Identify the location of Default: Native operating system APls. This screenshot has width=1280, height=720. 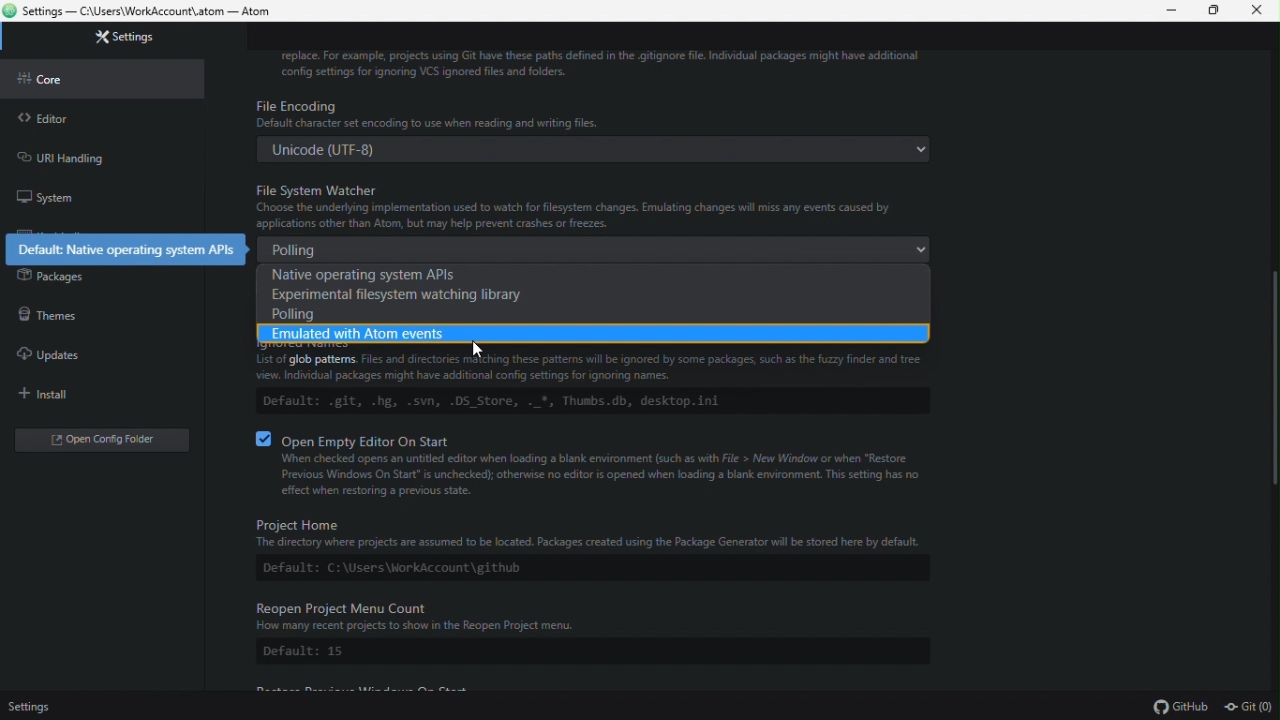
(132, 248).